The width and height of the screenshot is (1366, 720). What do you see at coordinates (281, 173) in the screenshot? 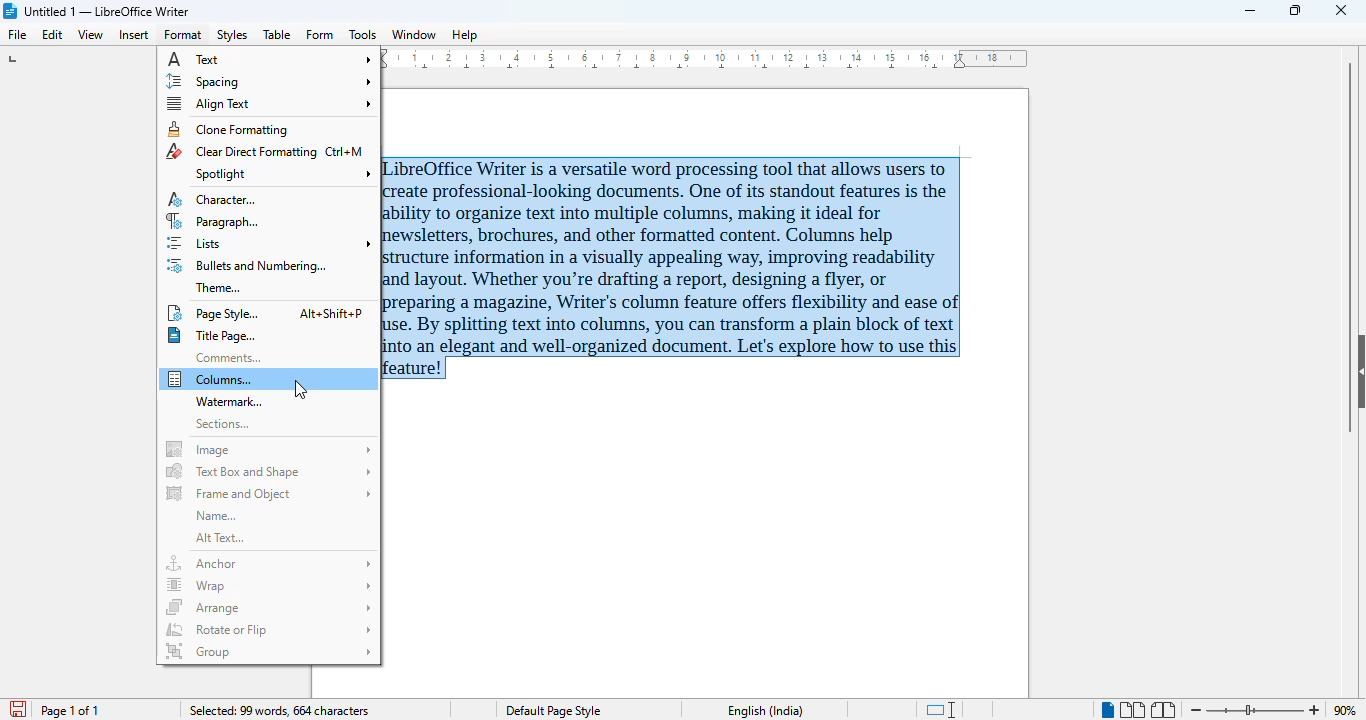
I see `spotlight` at bounding box center [281, 173].